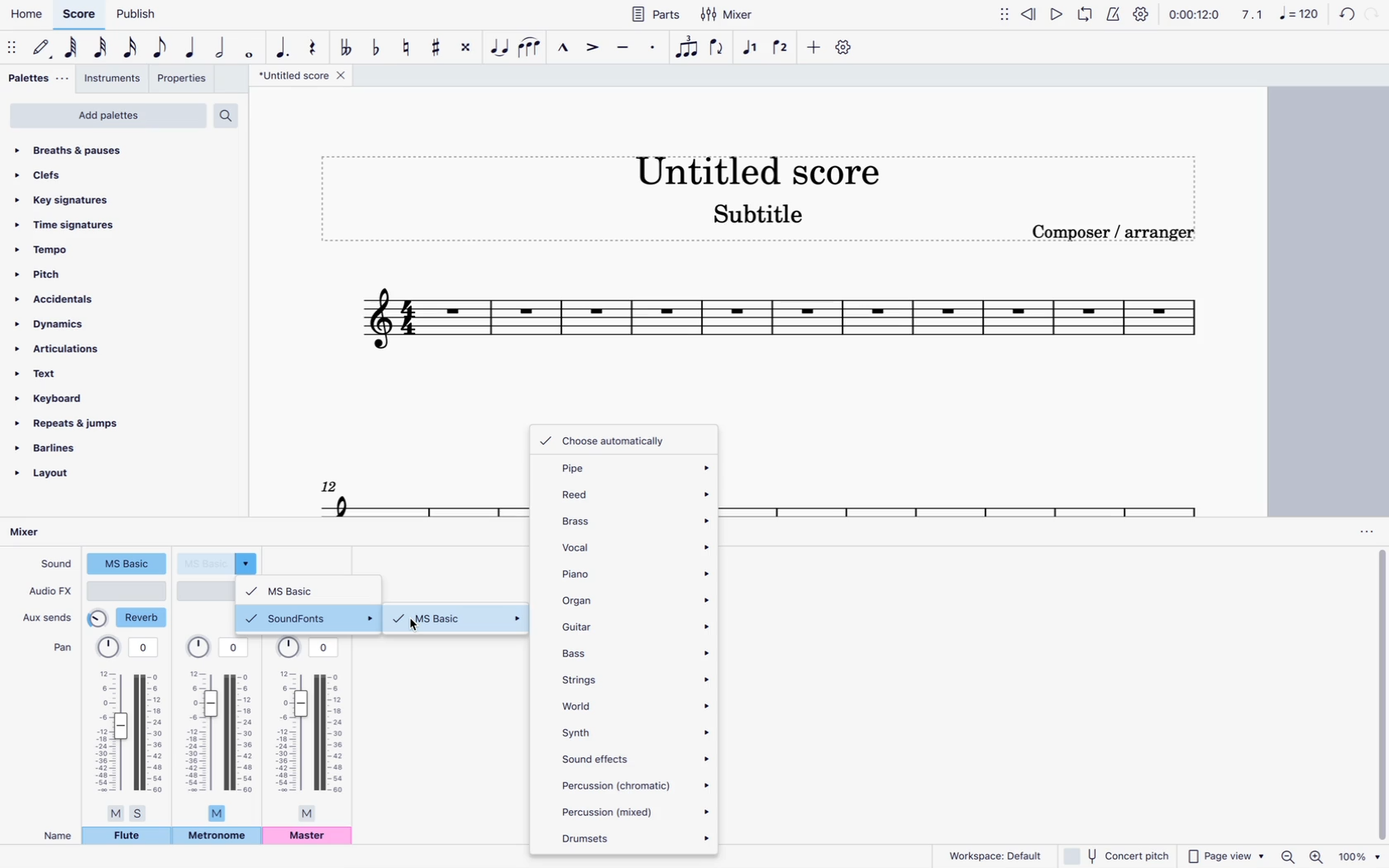  What do you see at coordinates (232, 112) in the screenshot?
I see `search` at bounding box center [232, 112].